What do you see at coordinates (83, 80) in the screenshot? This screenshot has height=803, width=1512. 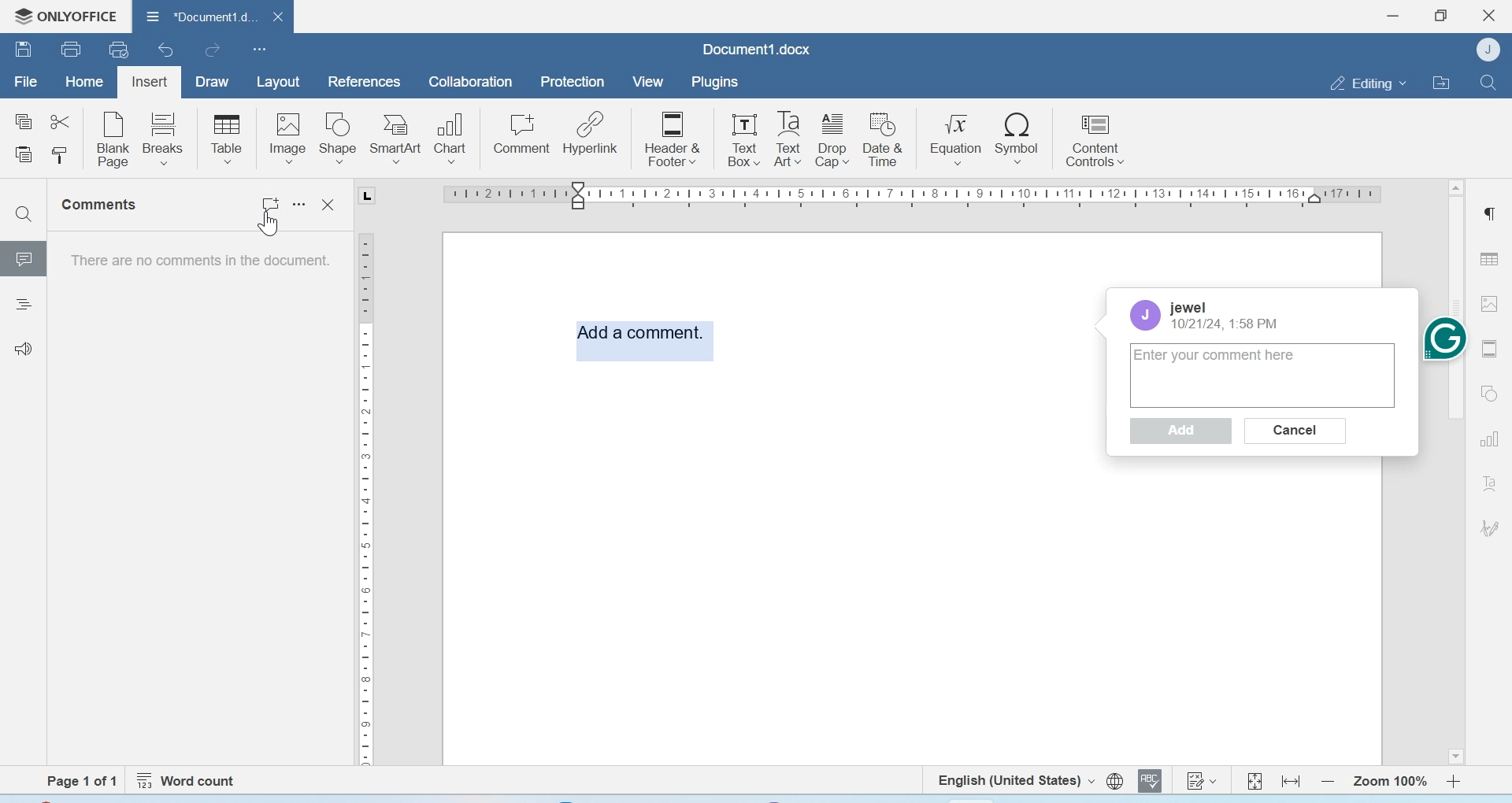 I see `Home` at bounding box center [83, 80].